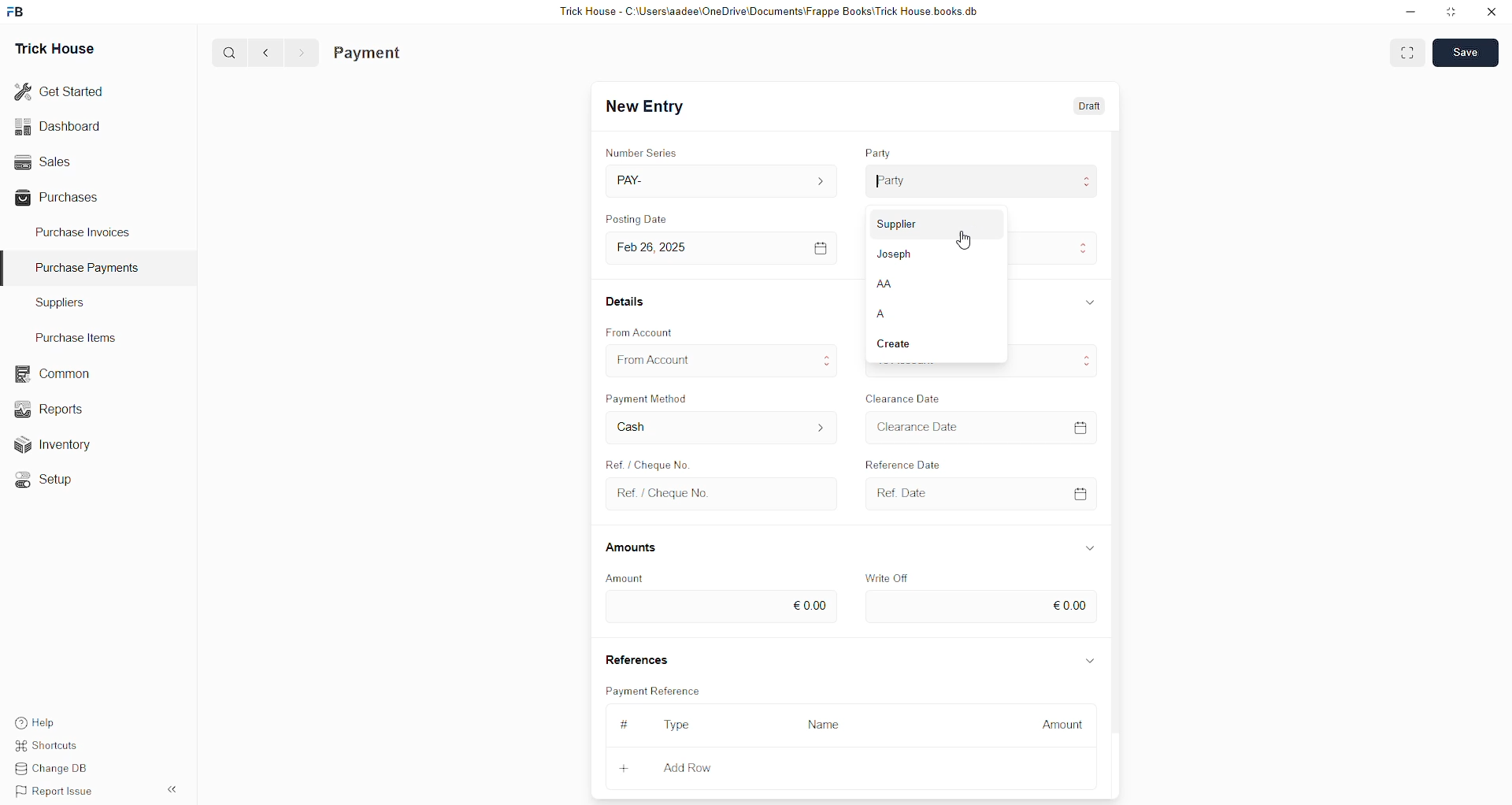 This screenshot has height=805, width=1512. What do you see at coordinates (923, 224) in the screenshot?
I see `Supplier` at bounding box center [923, 224].